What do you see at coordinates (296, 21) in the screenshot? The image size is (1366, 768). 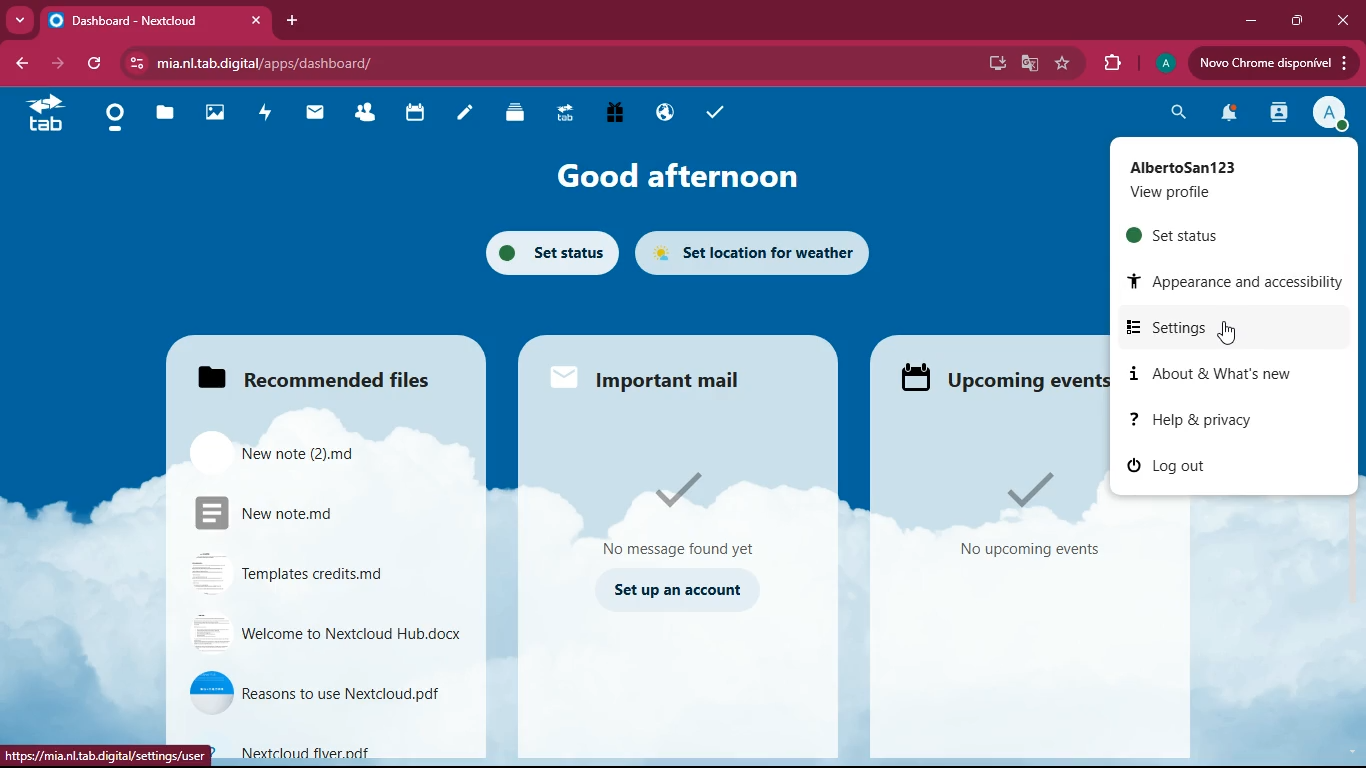 I see `add tab` at bounding box center [296, 21].